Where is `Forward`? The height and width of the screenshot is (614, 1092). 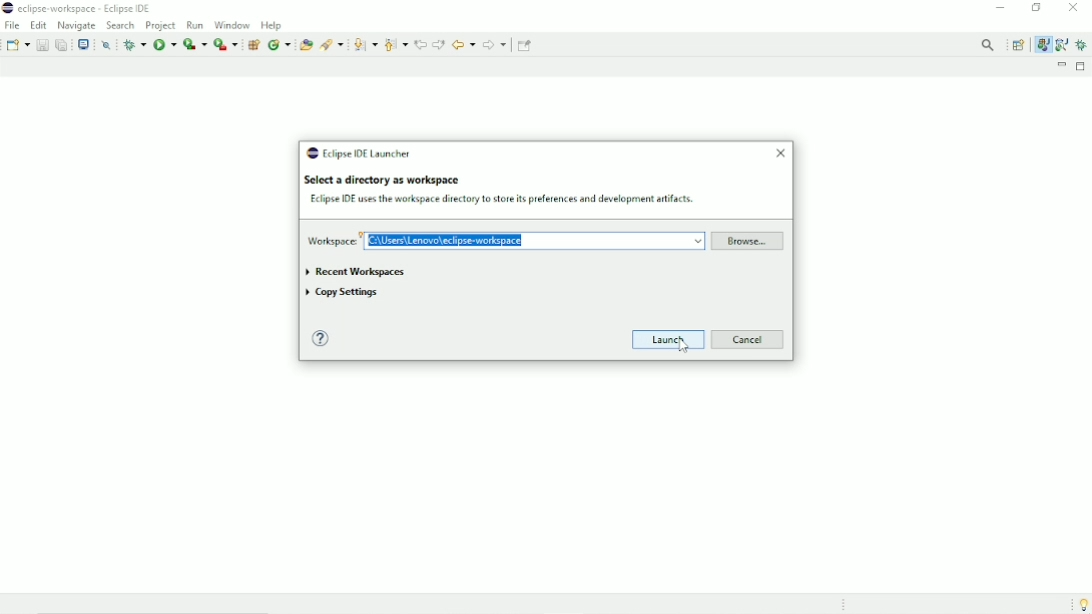
Forward is located at coordinates (495, 45).